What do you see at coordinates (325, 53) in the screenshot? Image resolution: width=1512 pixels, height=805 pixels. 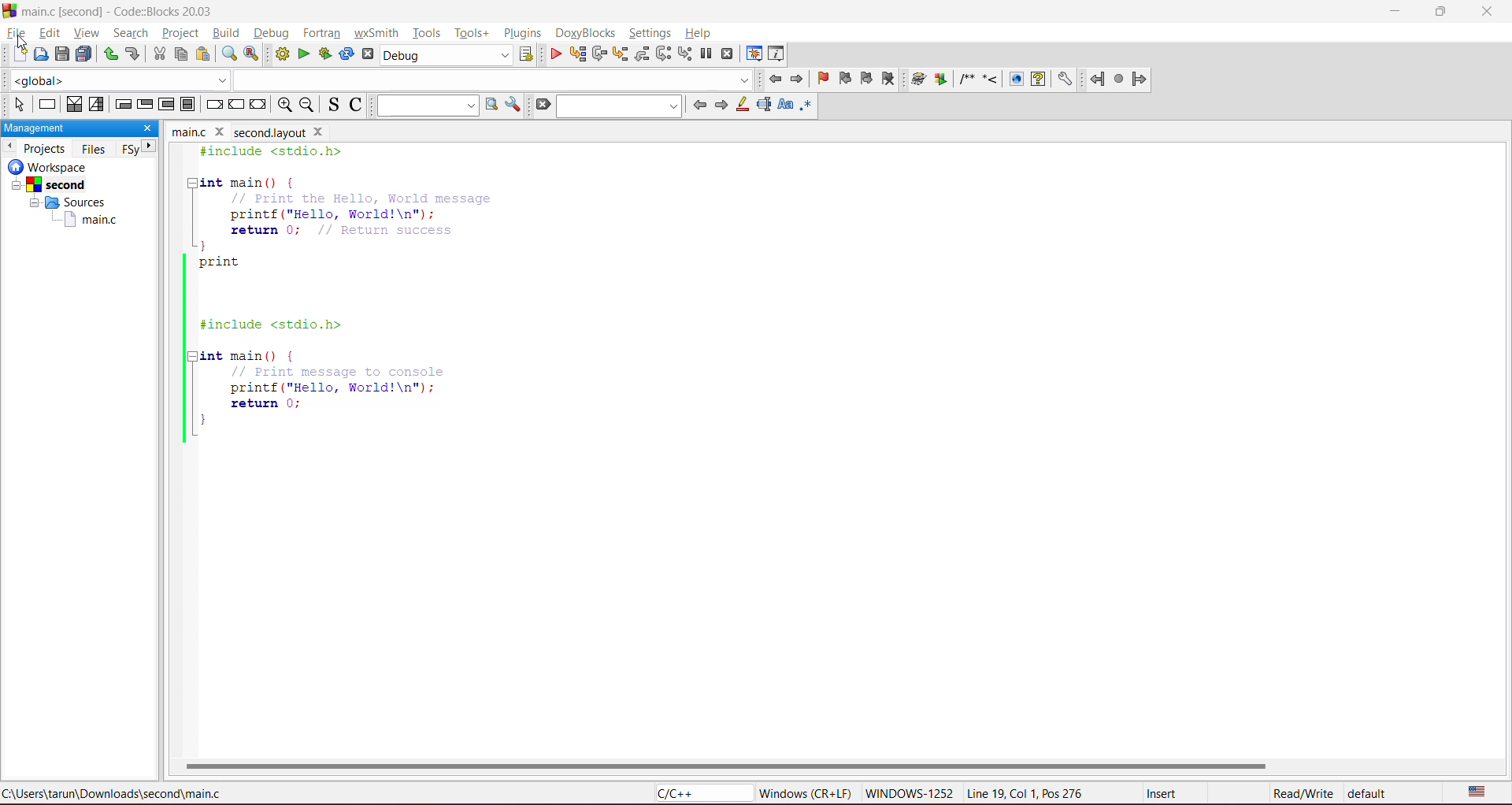 I see `build and run` at bounding box center [325, 53].